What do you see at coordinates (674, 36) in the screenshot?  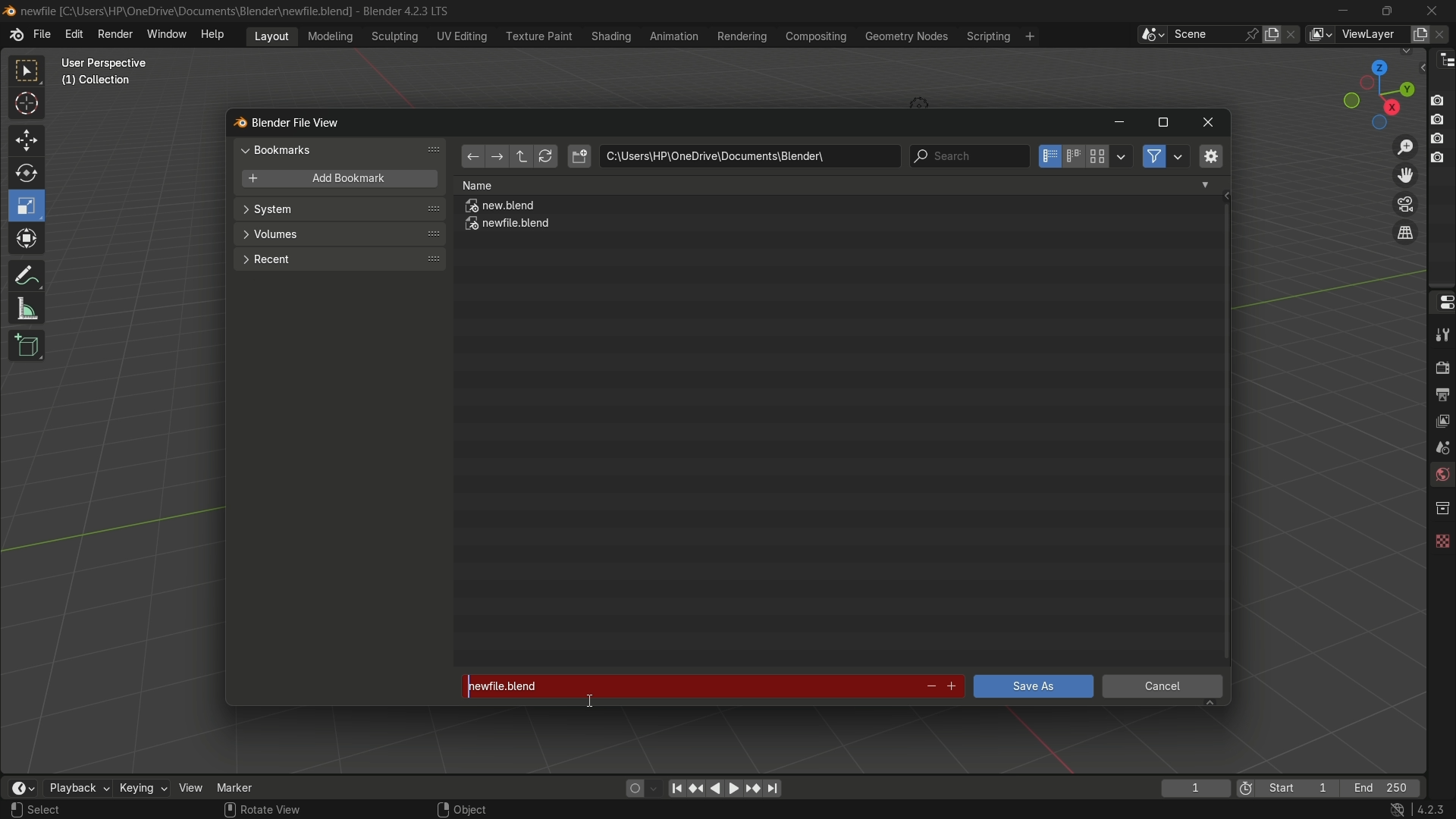 I see `animation menu` at bounding box center [674, 36].